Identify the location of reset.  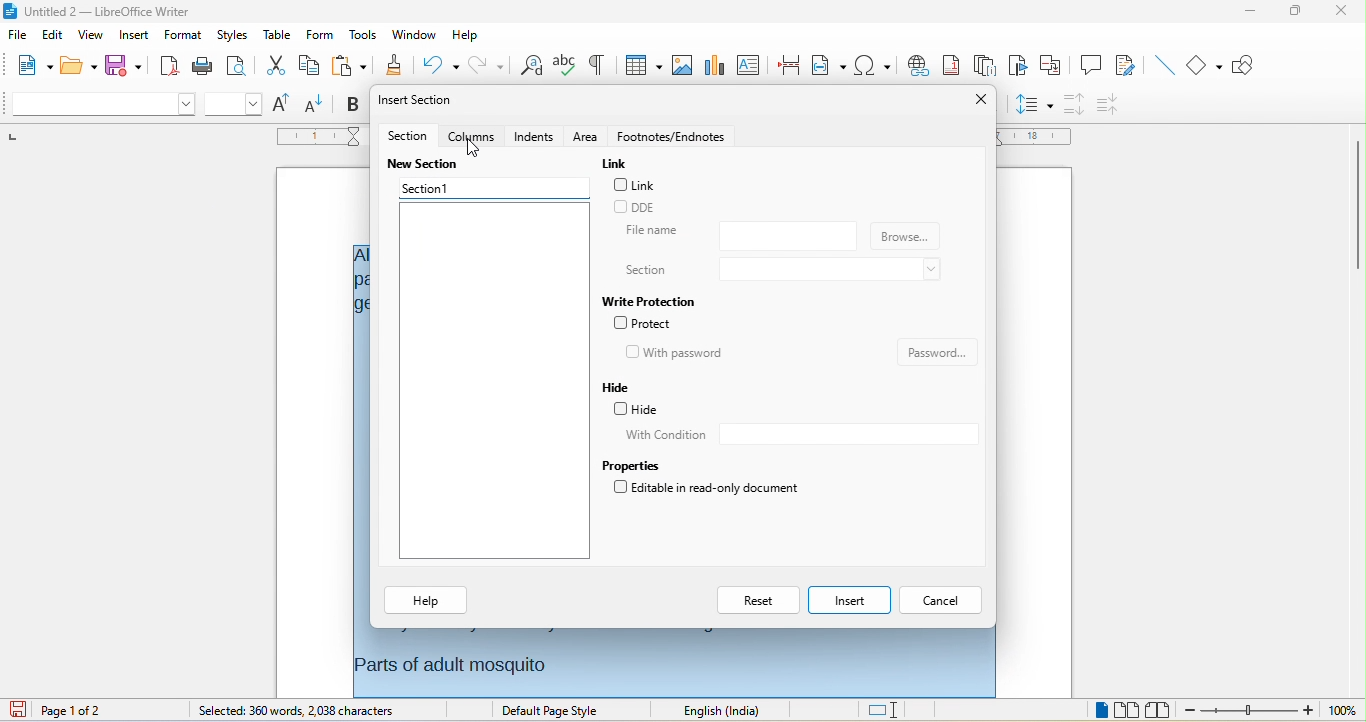
(760, 601).